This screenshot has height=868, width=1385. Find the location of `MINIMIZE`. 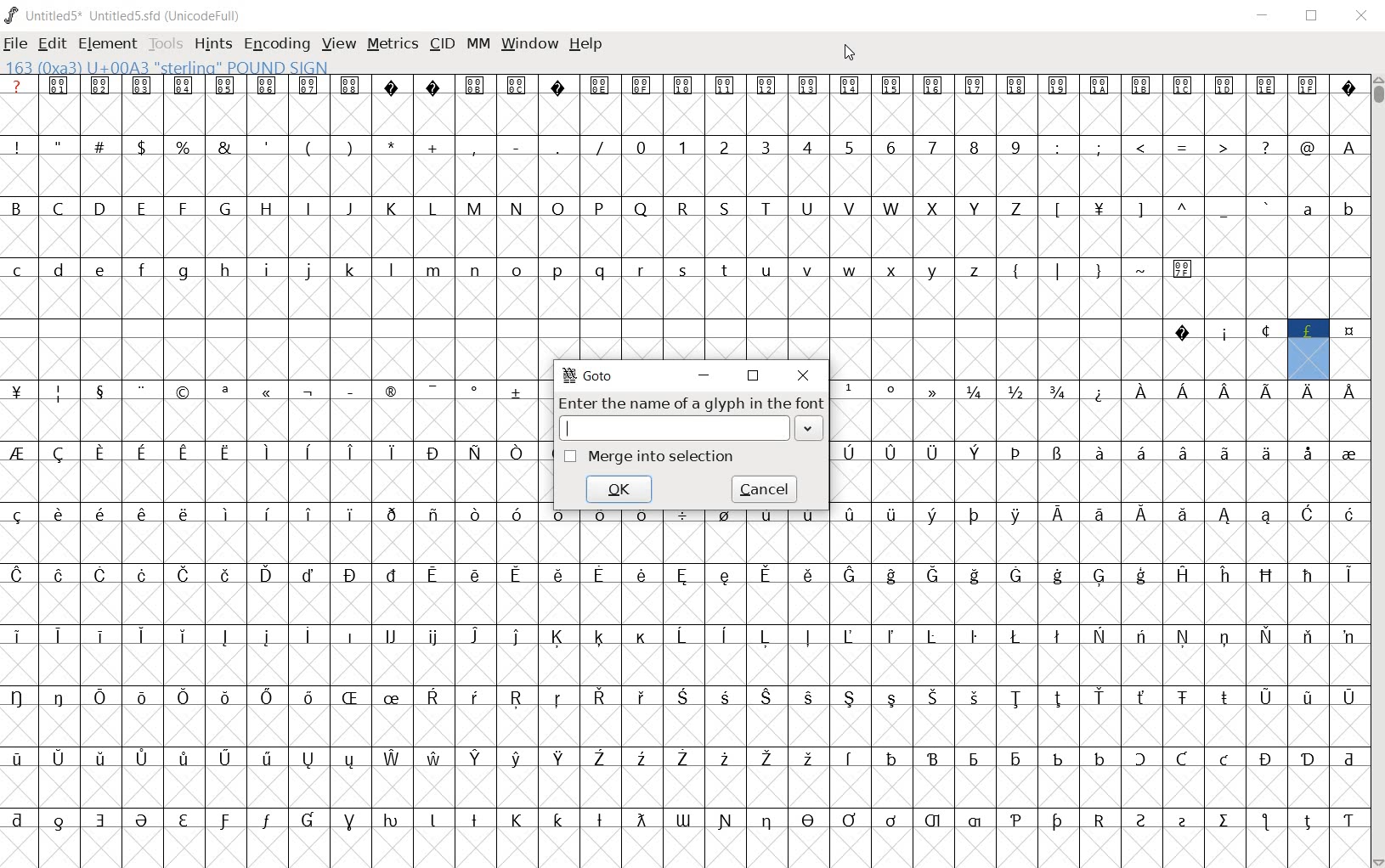

MINIMIZE is located at coordinates (1264, 15).